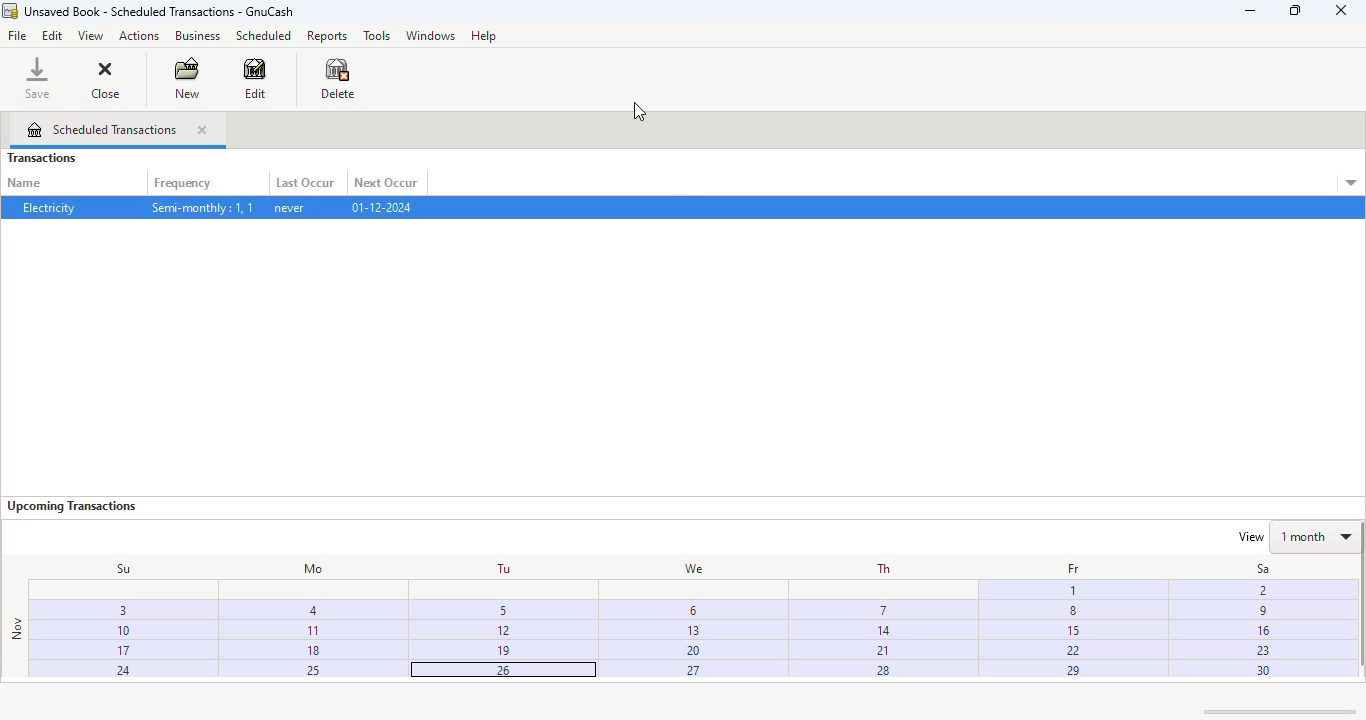  Describe the element at coordinates (879, 609) in the screenshot. I see `7` at that location.